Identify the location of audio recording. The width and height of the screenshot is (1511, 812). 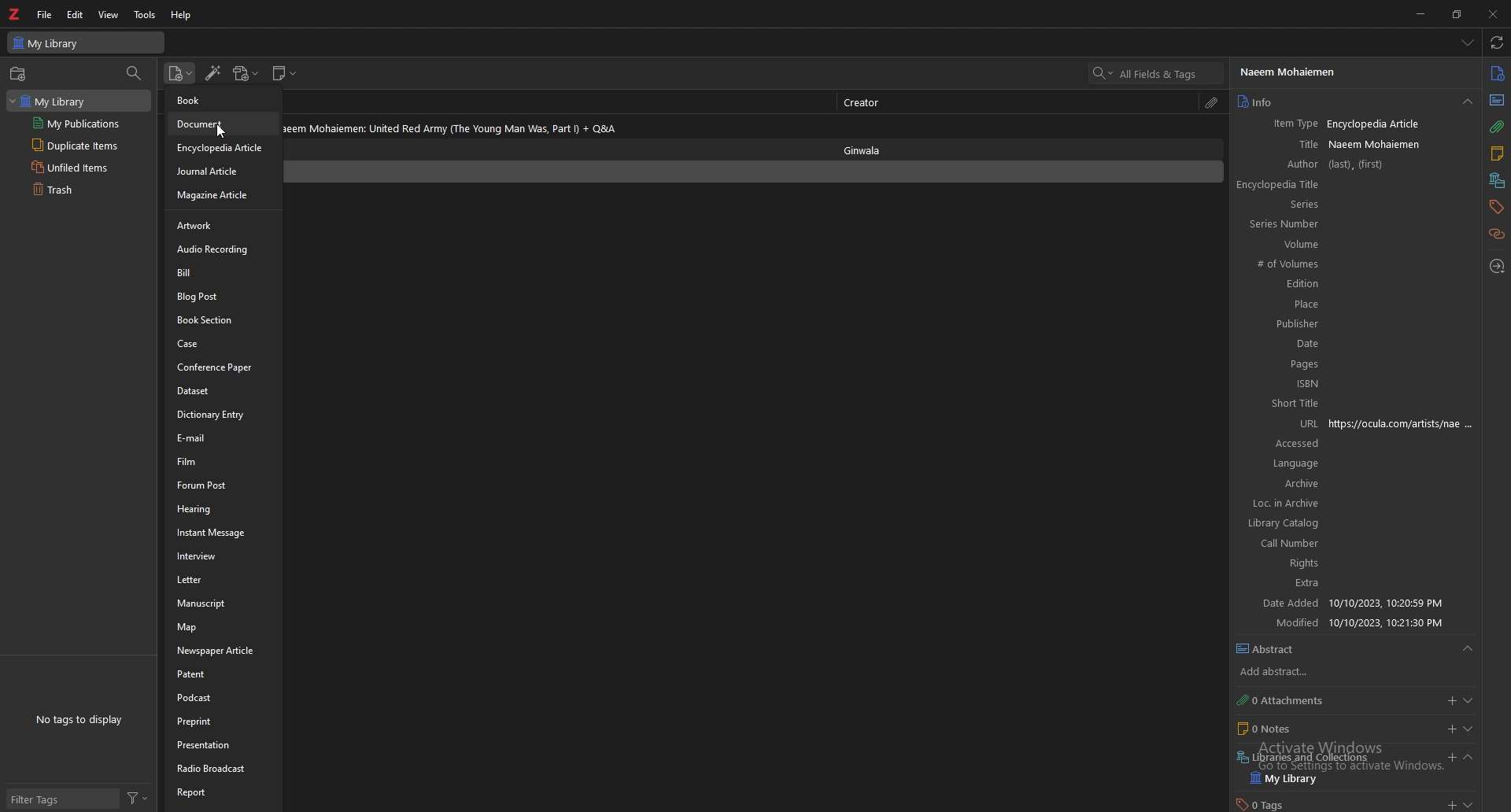
(220, 248).